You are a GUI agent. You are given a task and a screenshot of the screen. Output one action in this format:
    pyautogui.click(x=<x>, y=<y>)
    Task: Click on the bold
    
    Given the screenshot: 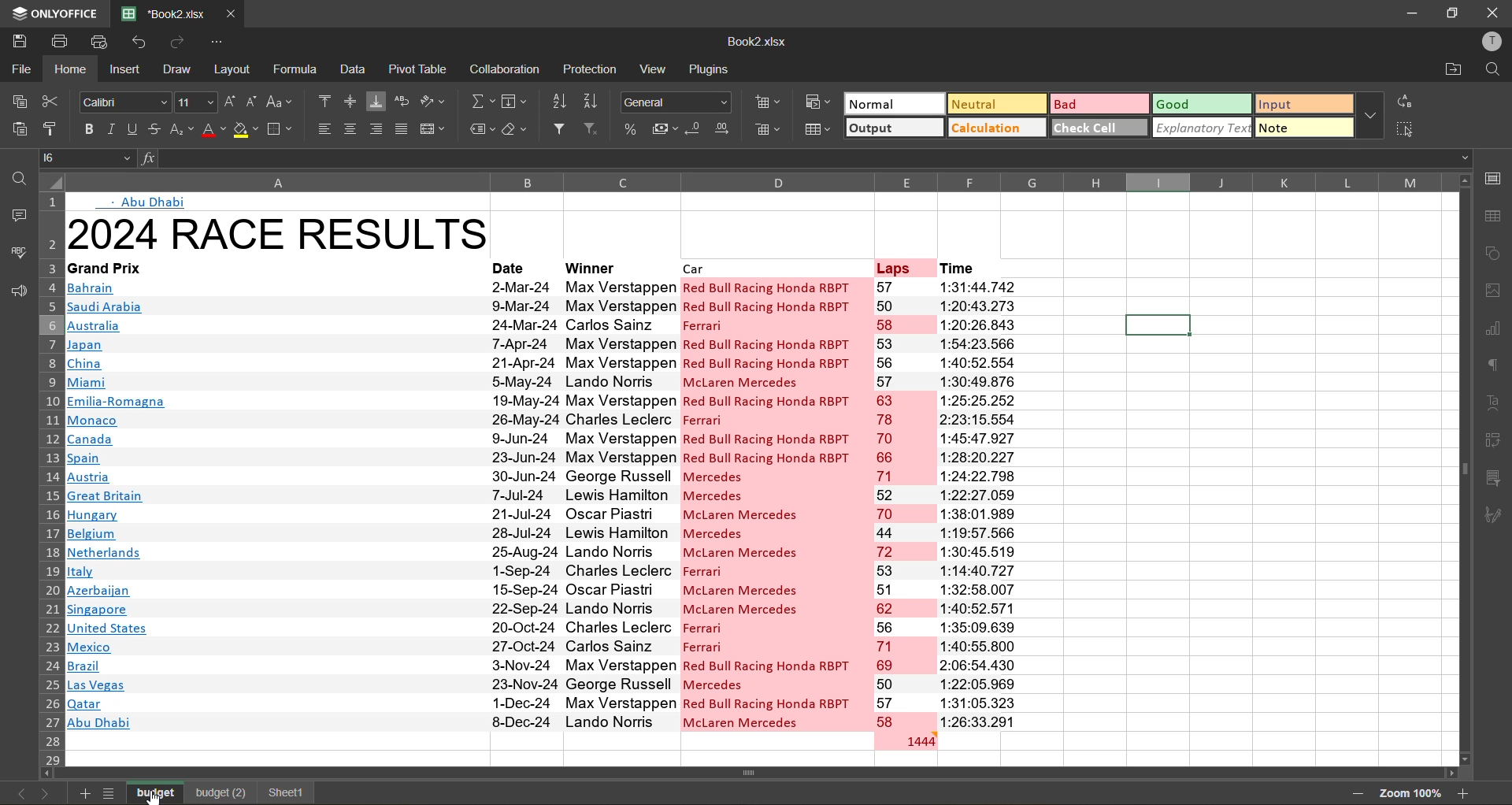 What is the action you would take?
    pyautogui.click(x=86, y=128)
    